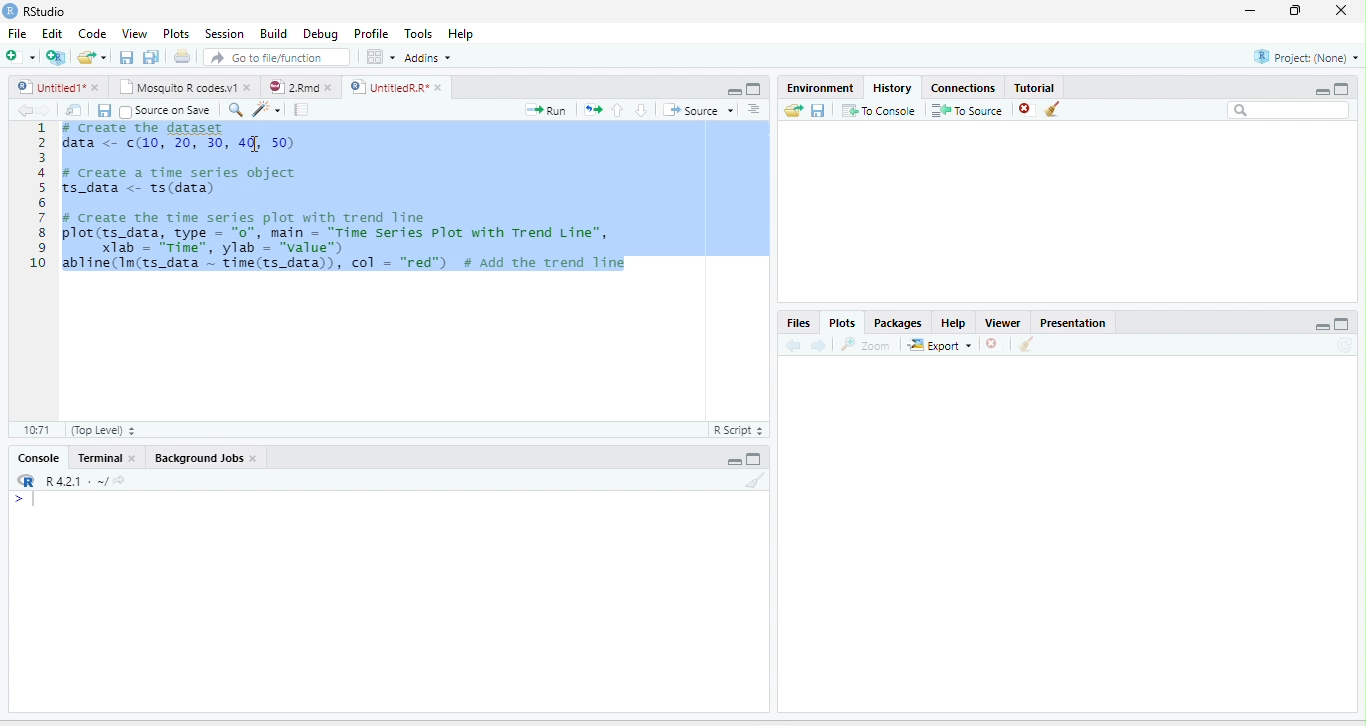  Describe the element at coordinates (55, 56) in the screenshot. I see `Create a project` at that location.